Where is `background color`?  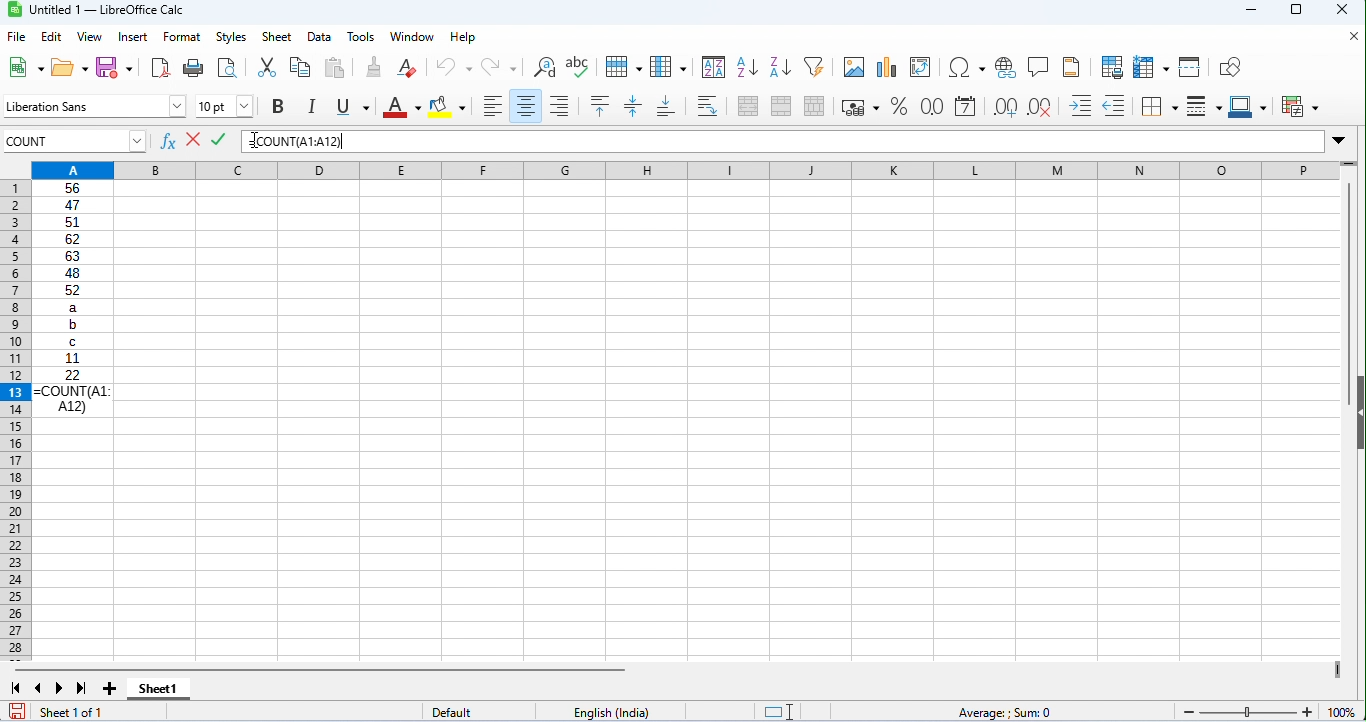 background color is located at coordinates (449, 106).